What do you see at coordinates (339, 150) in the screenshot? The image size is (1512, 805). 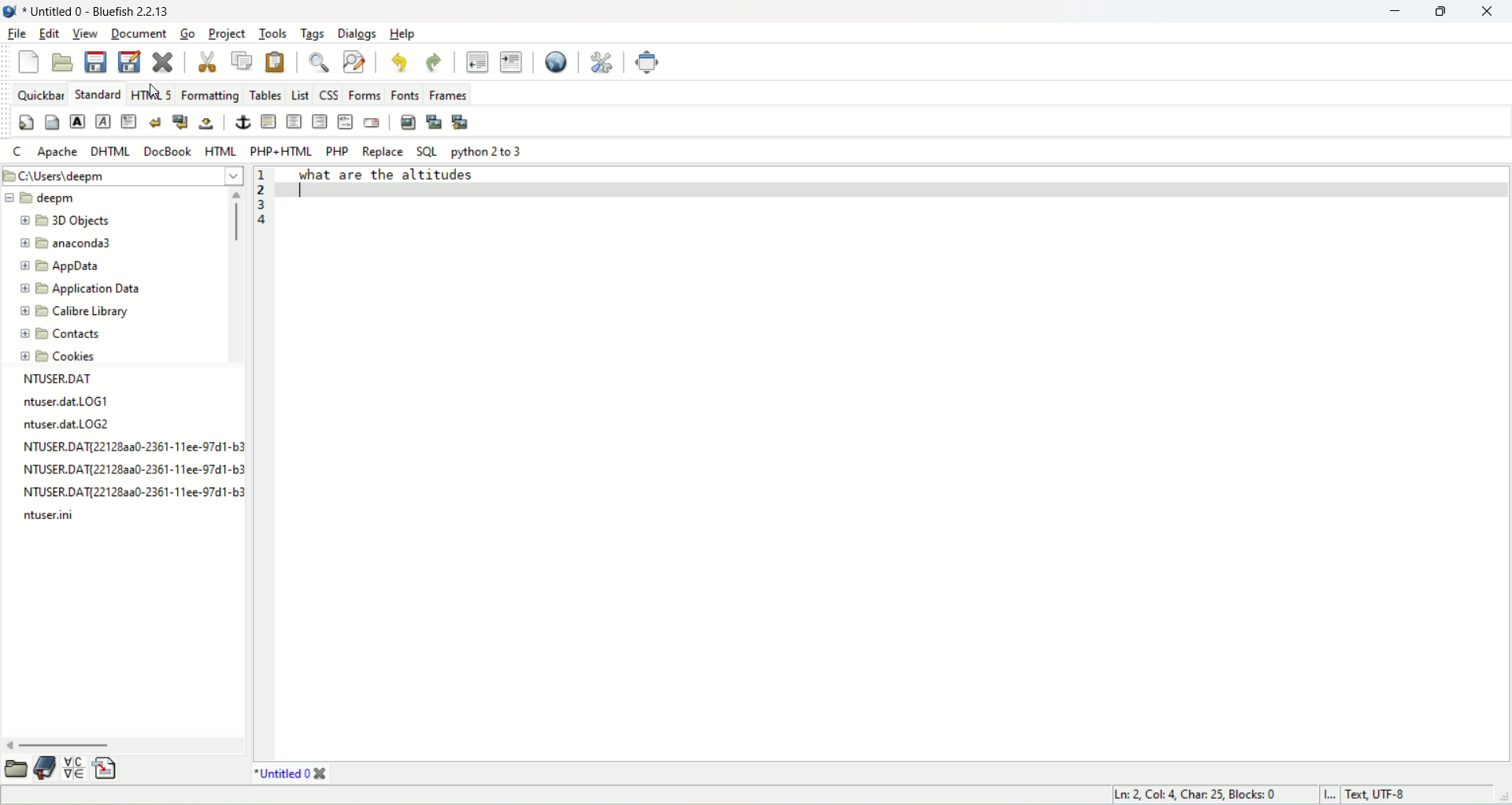 I see `PHP` at bounding box center [339, 150].